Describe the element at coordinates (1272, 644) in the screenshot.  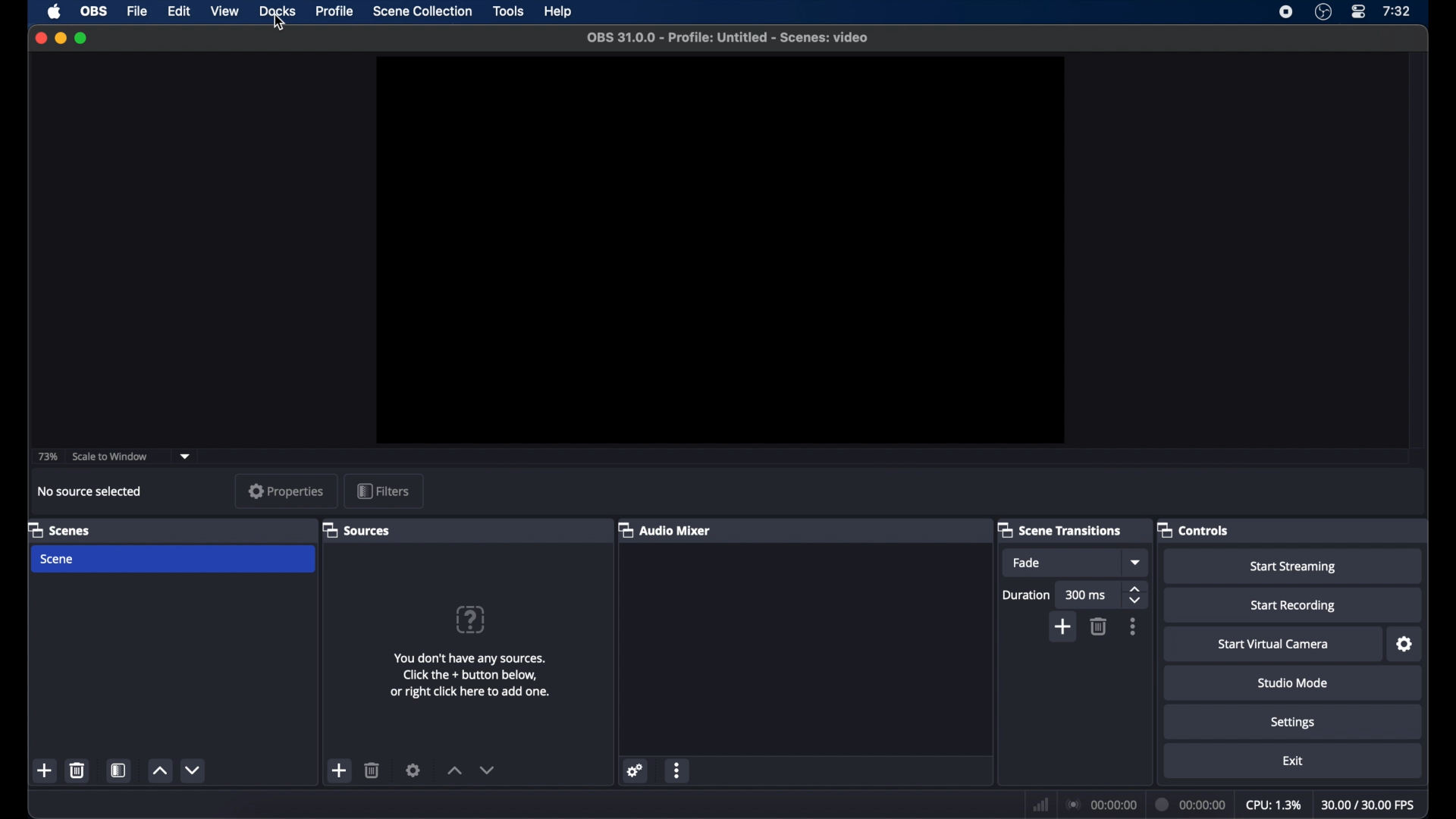
I see `start virtual camera` at that location.